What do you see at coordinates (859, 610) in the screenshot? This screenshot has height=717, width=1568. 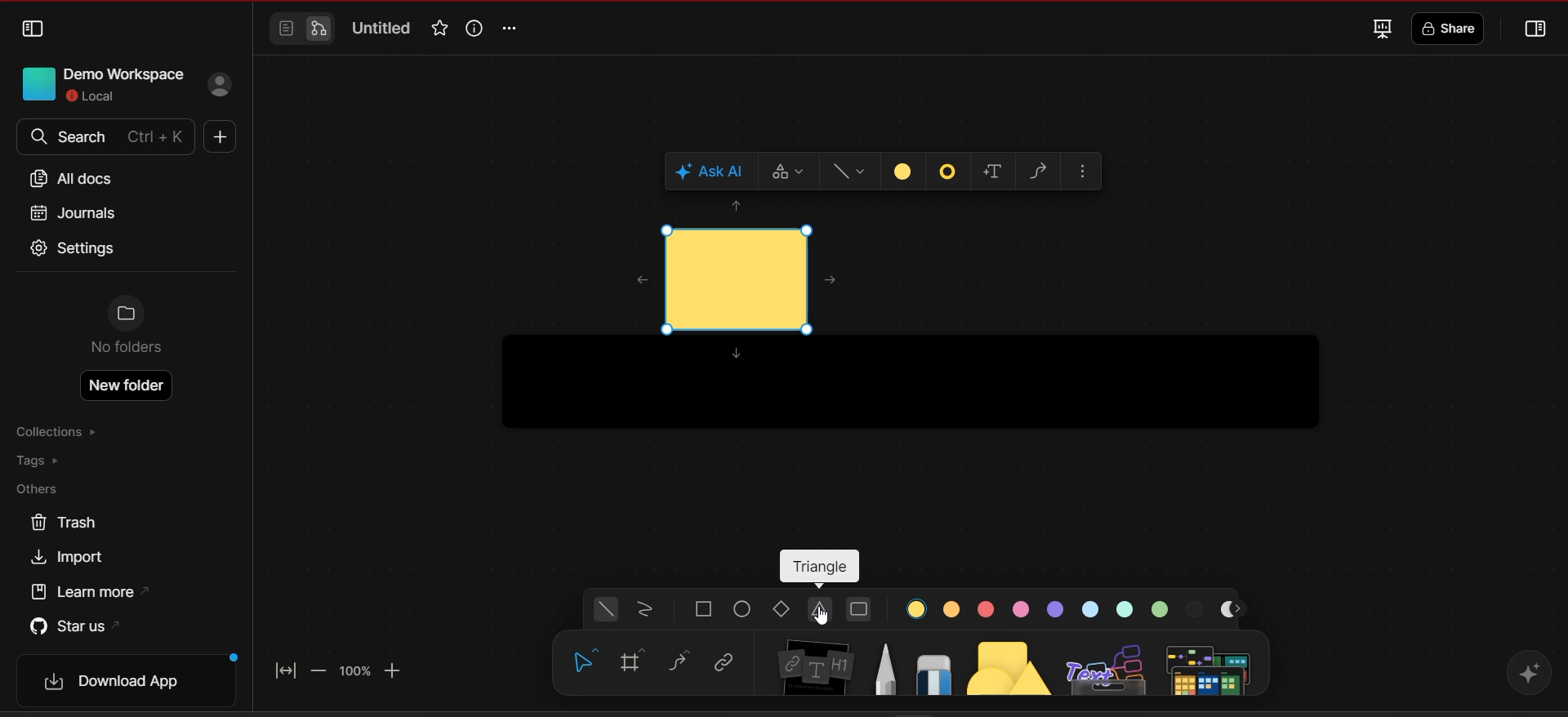 I see `rounded rectangle` at bounding box center [859, 610].